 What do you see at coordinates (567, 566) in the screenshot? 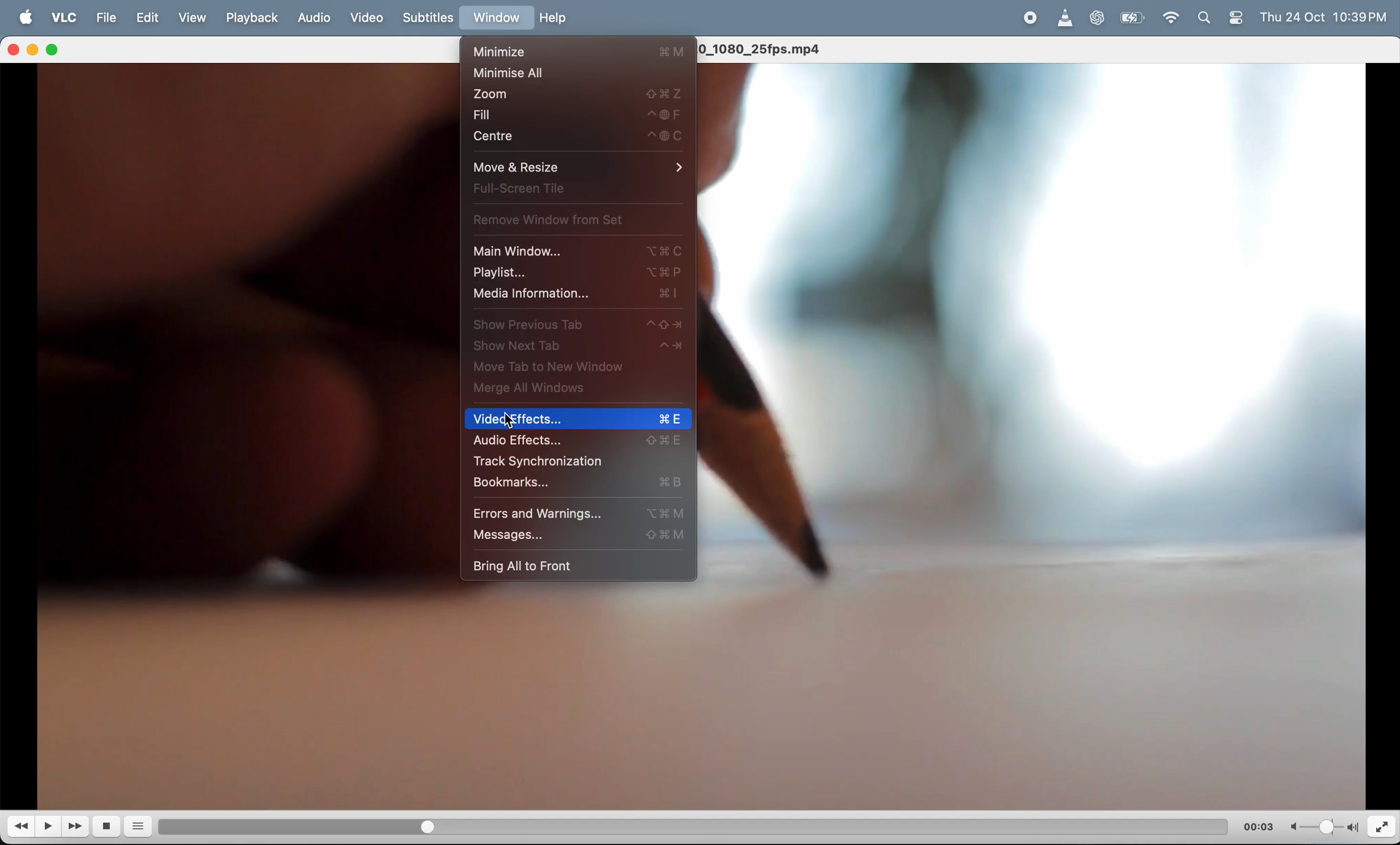
I see `bring all to front` at bounding box center [567, 566].